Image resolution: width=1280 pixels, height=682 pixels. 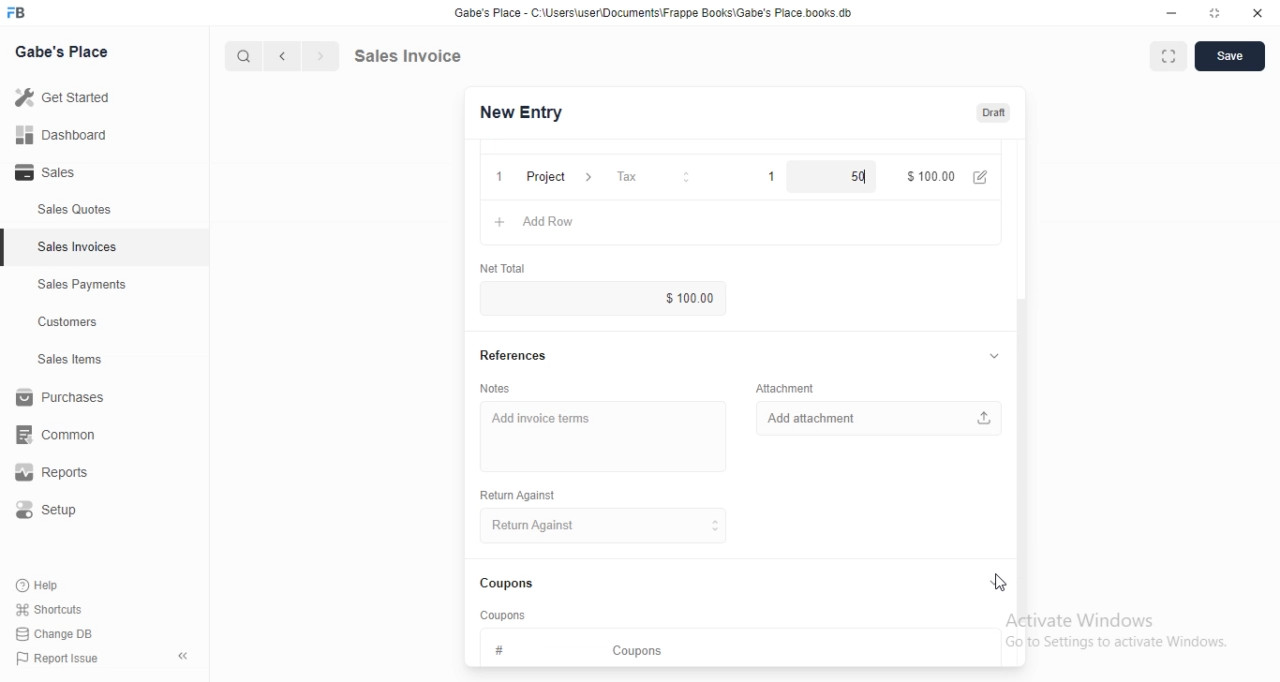 I want to click on cursor, so click(x=1000, y=583).